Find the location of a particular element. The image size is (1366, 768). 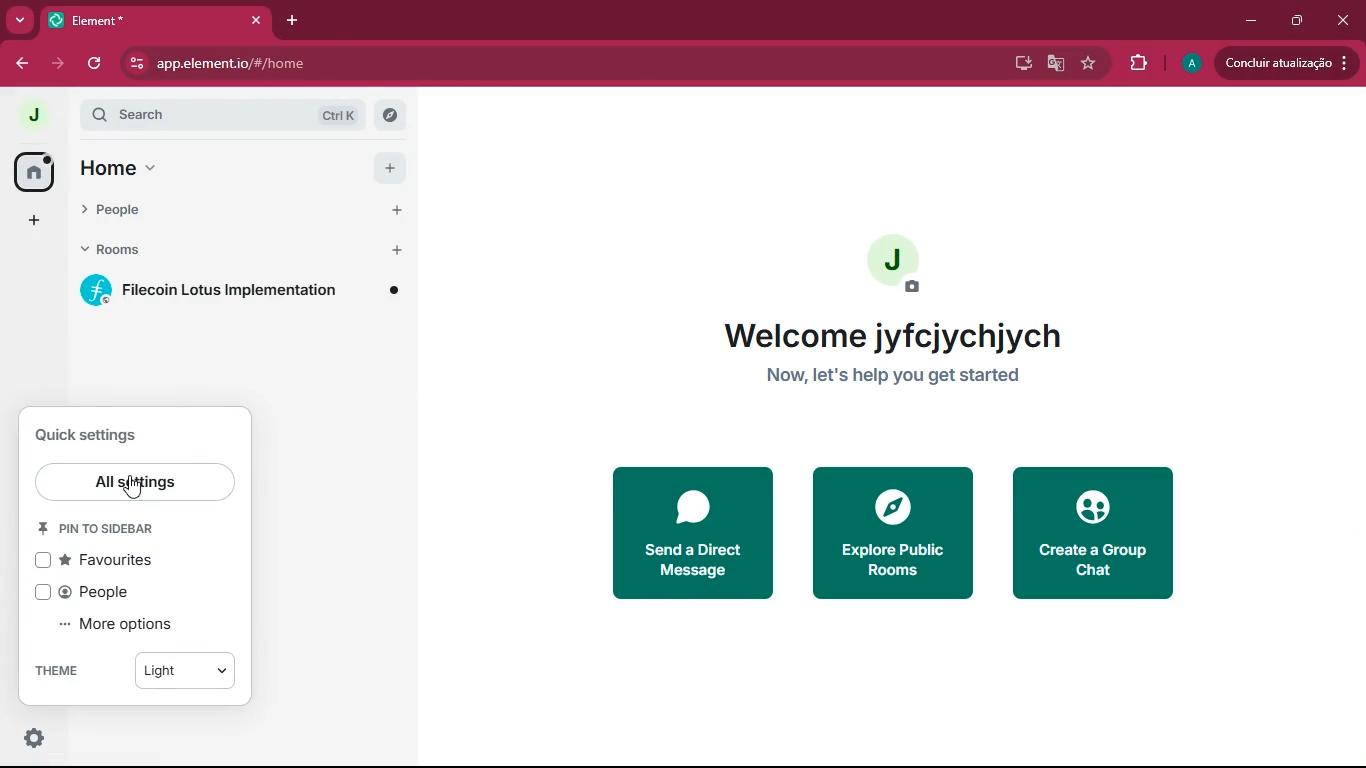

explore is located at coordinates (891, 533).